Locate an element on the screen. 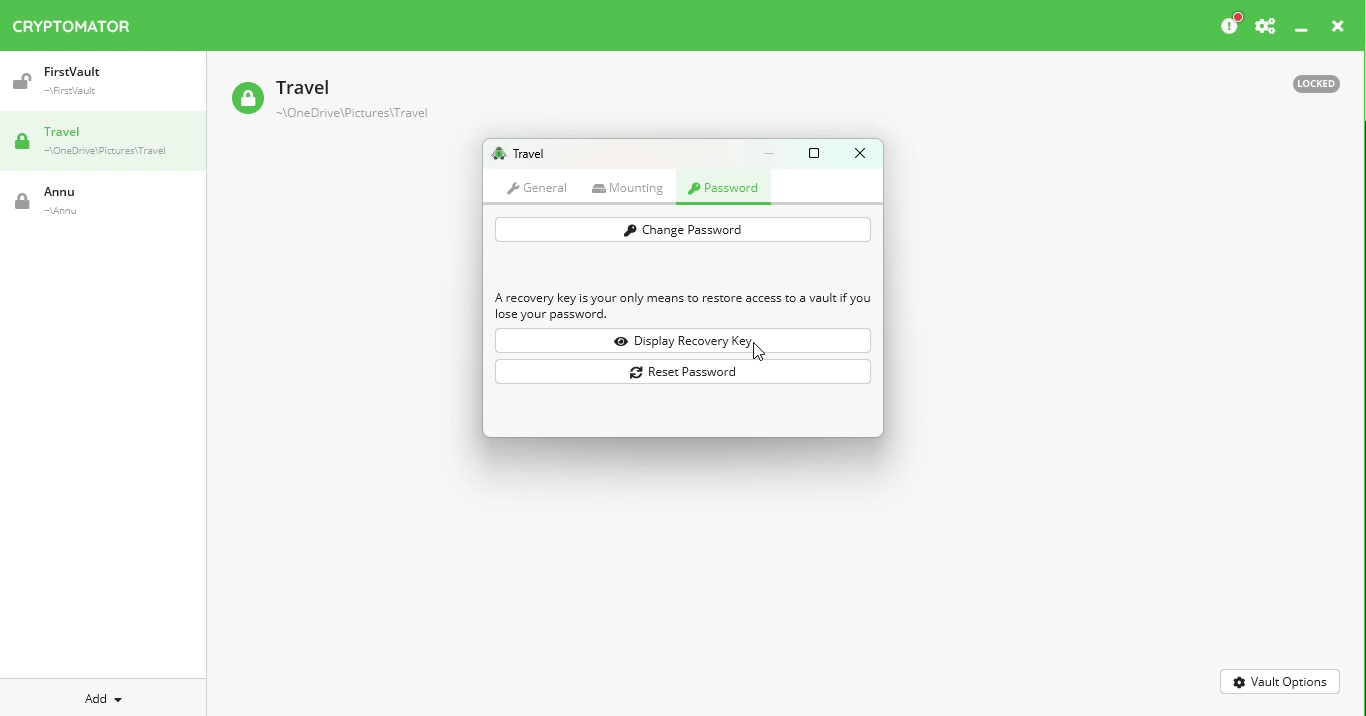 This screenshot has width=1366, height=716. Minimize is located at coordinates (774, 153).